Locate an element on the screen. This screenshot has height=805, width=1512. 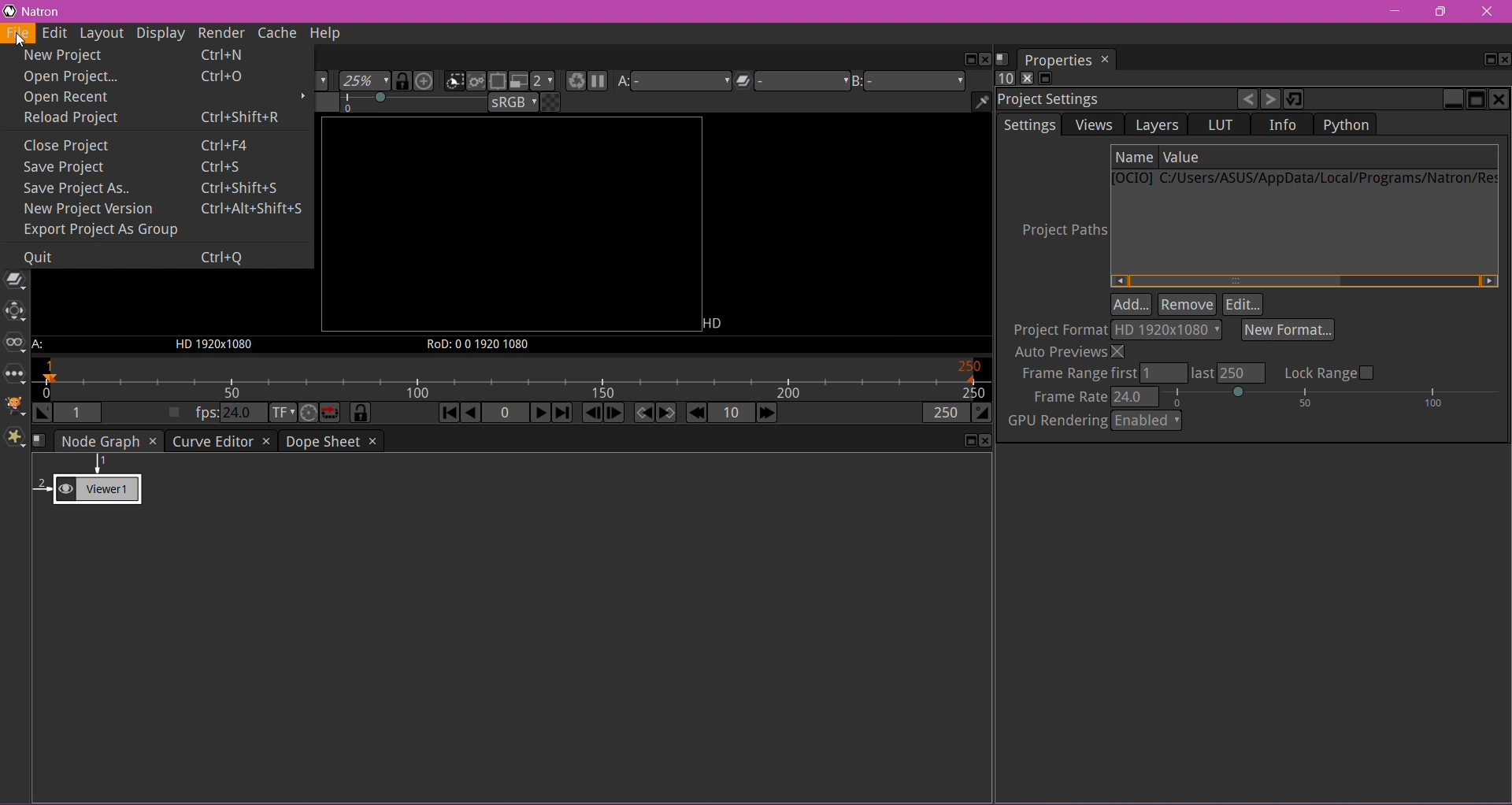
 is located at coordinates (980, 103).